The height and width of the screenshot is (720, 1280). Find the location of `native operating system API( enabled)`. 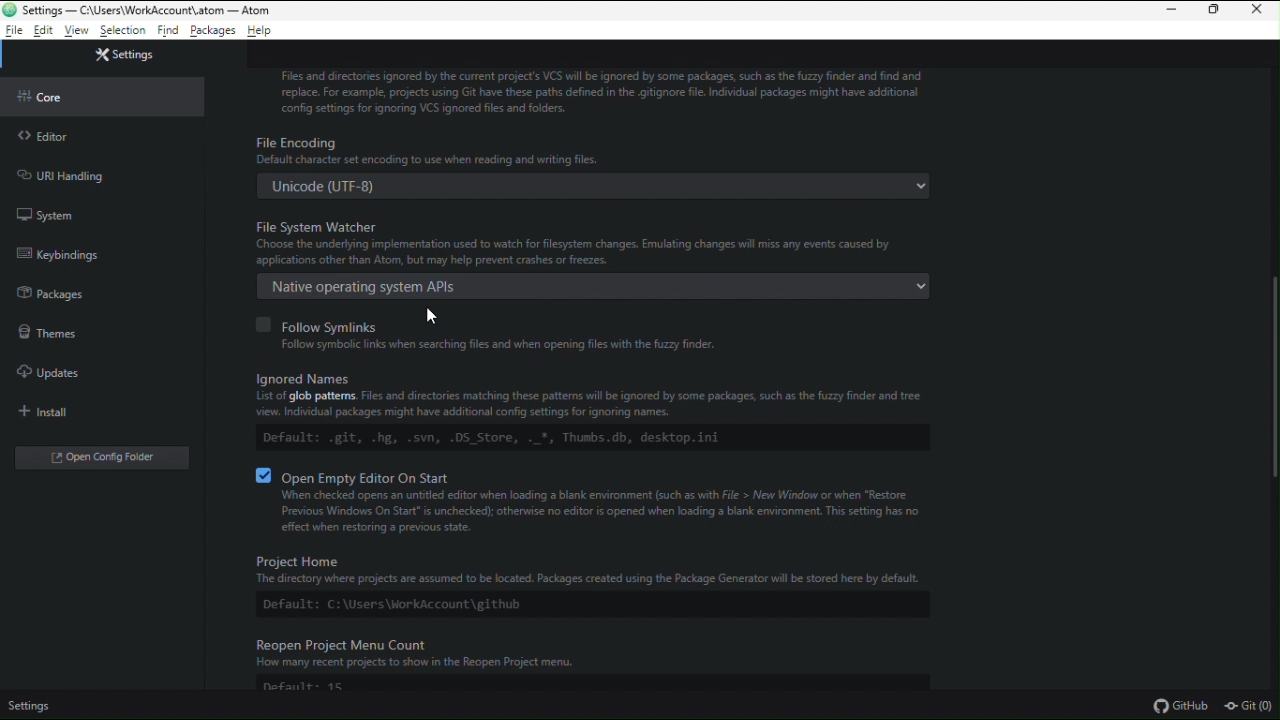

native operating system API( enabled) is located at coordinates (592, 284).